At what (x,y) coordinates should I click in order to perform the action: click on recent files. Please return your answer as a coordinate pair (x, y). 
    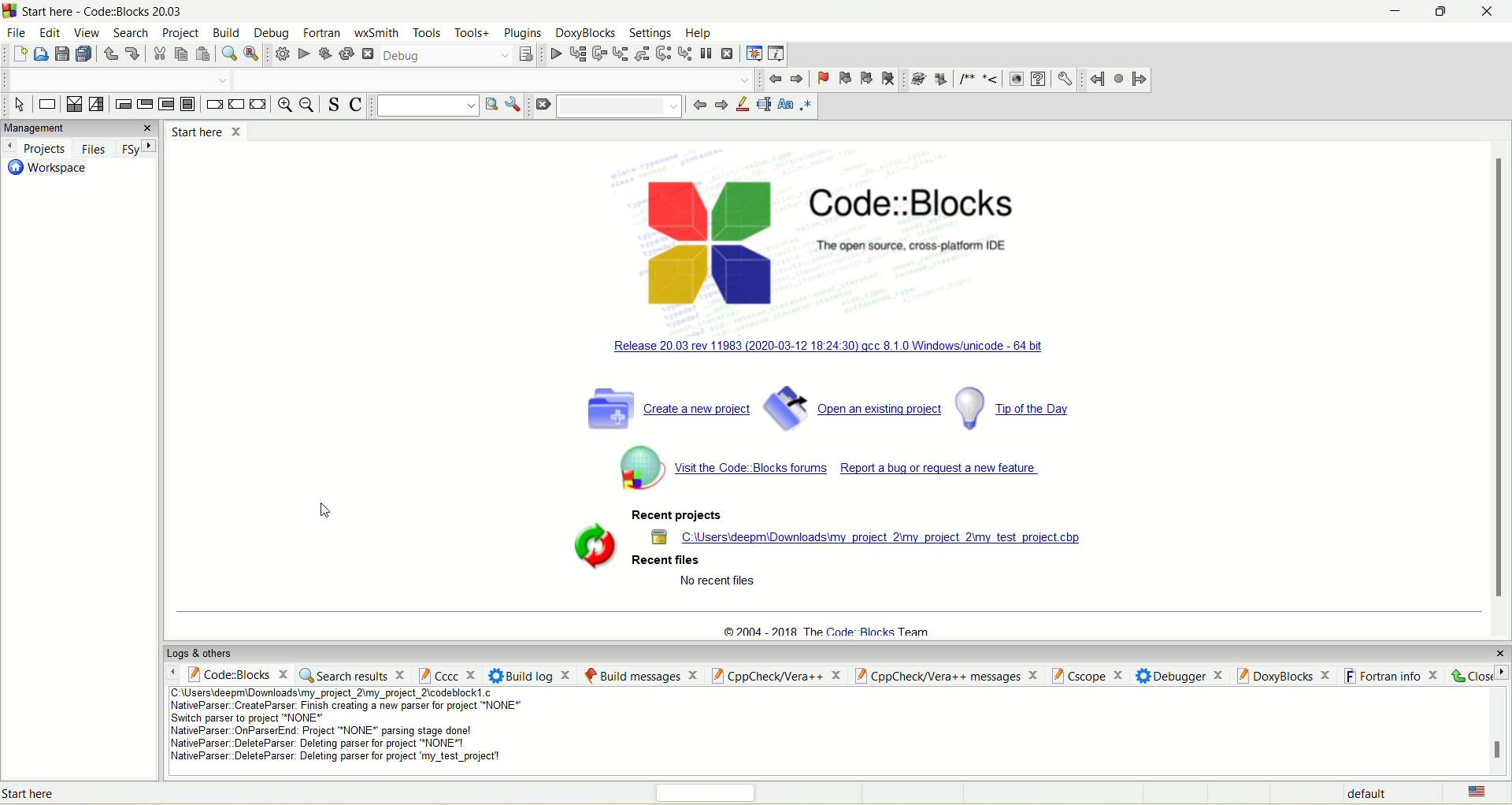
    Looking at the image, I should click on (677, 562).